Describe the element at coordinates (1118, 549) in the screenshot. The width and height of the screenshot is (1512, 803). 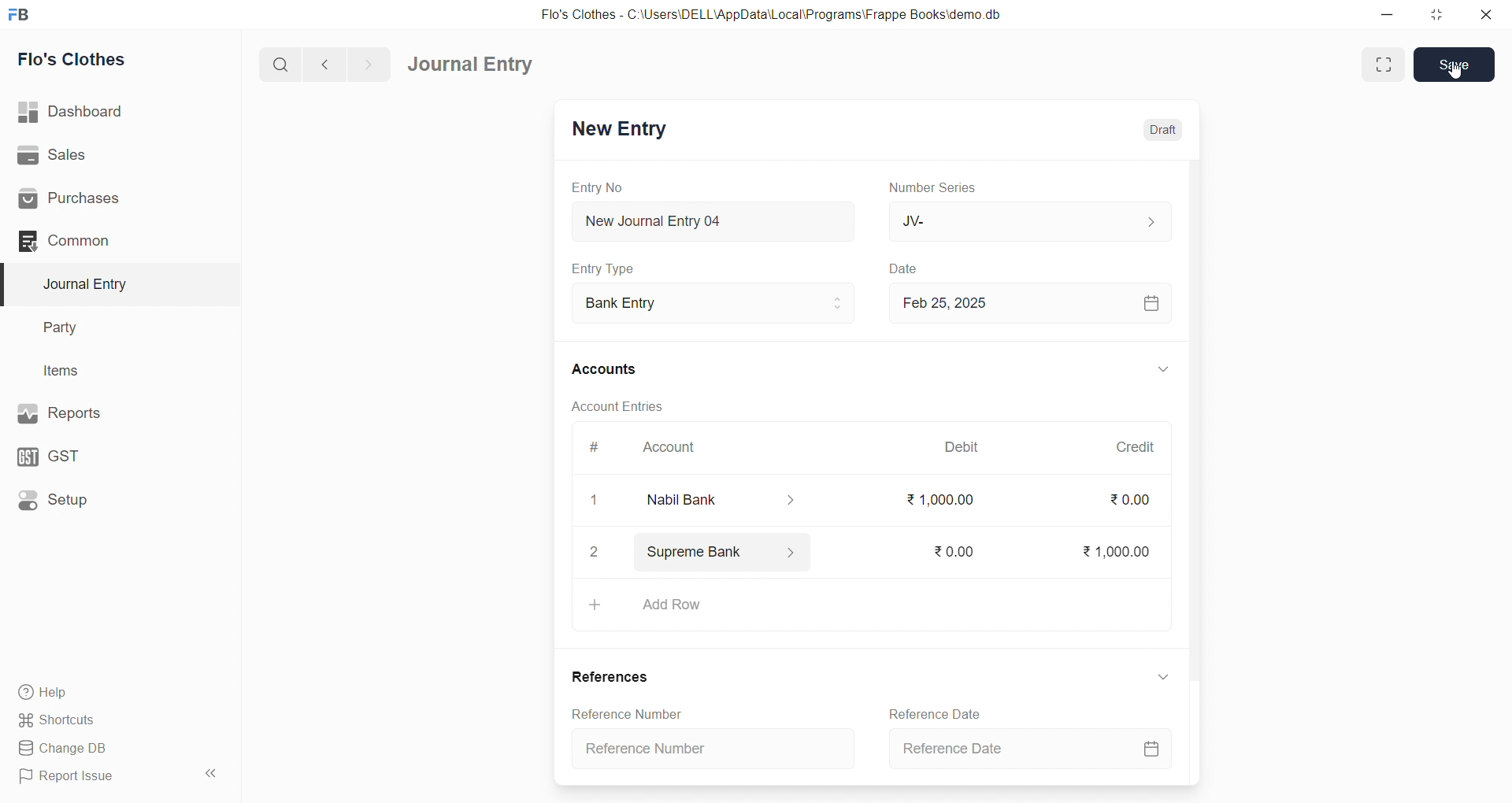
I see `₹ 1000.00` at that location.